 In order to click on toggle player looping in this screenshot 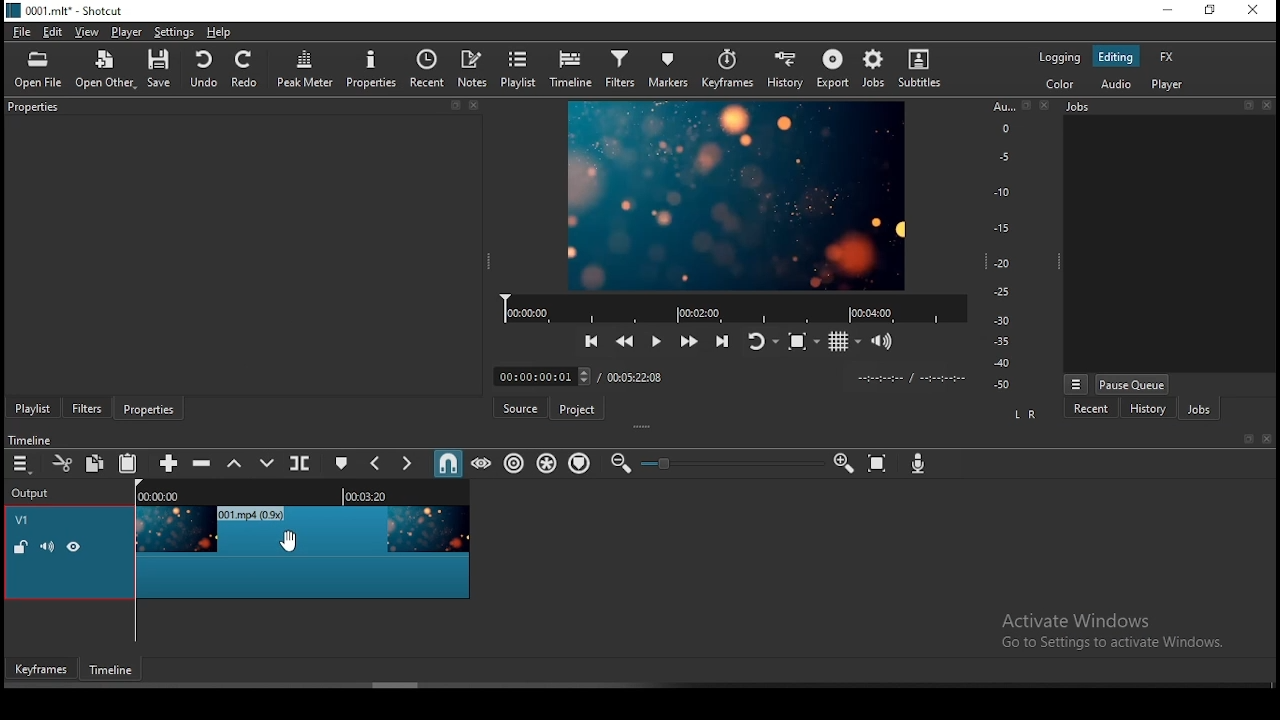, I will do `click(761, 340)`.